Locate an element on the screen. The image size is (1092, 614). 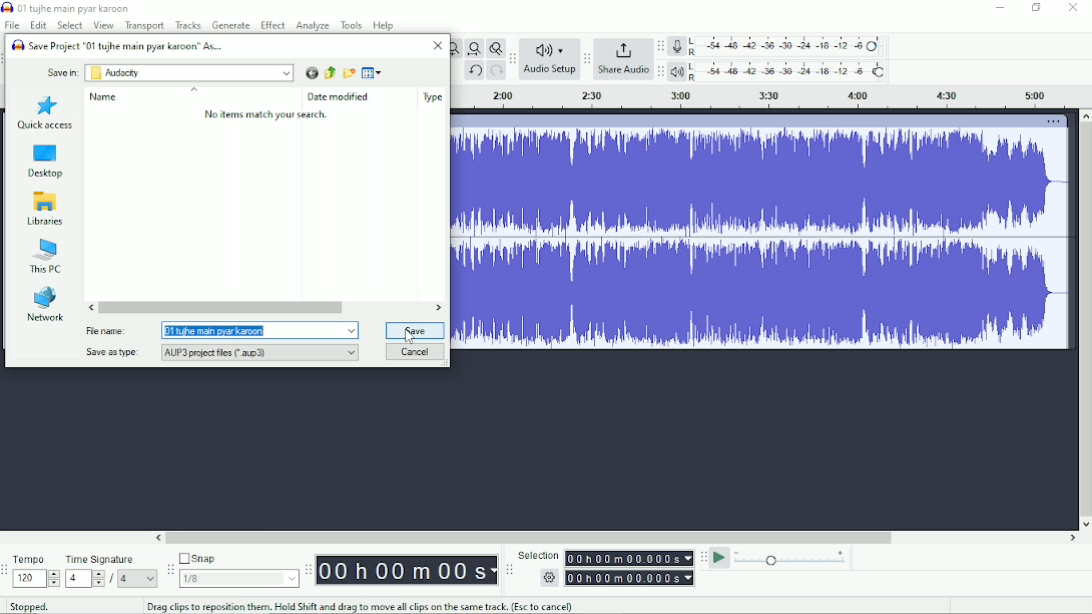
Audacity playback meter toolbar is located at coordinates (662, 71).